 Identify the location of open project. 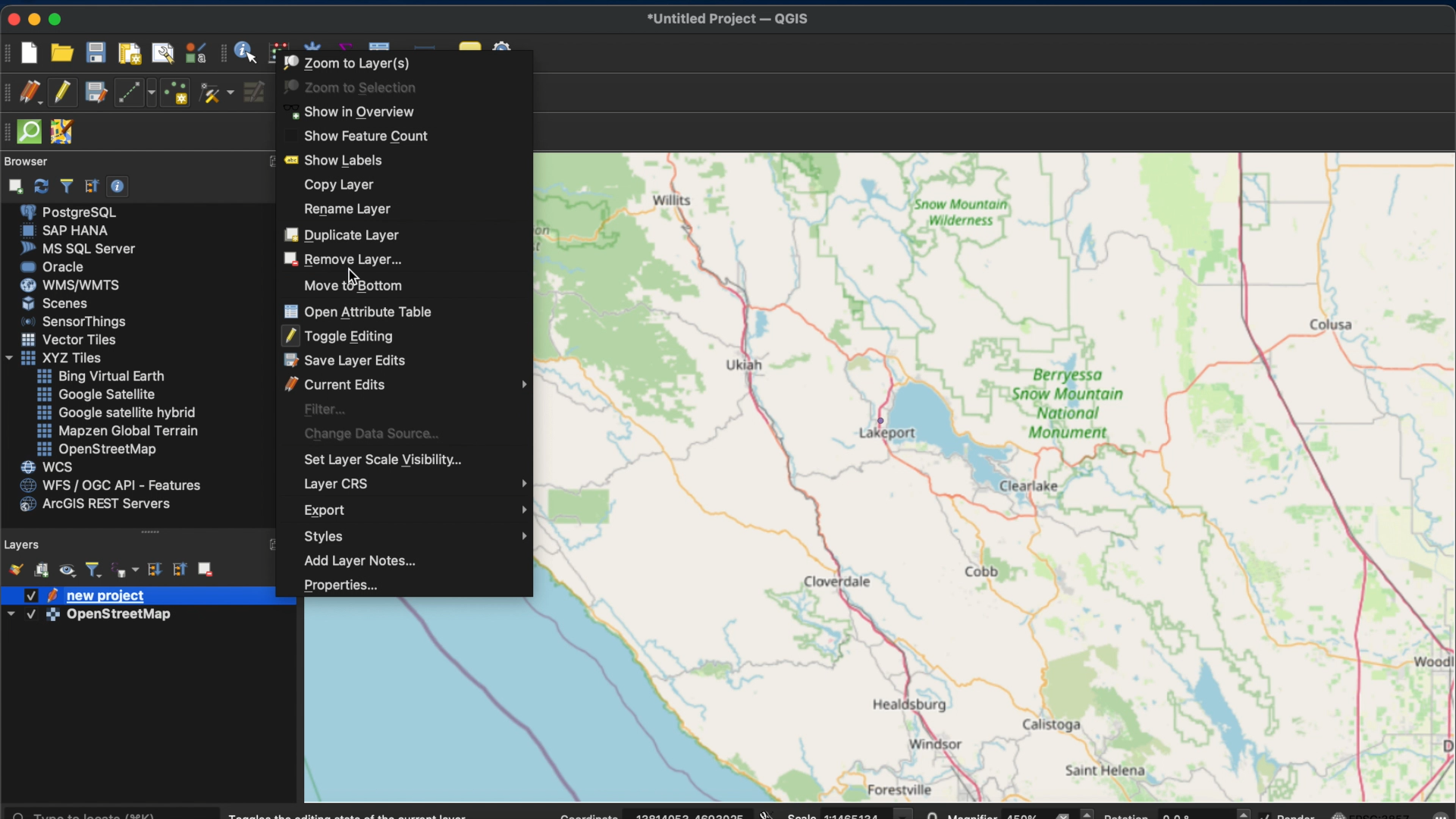
(61, 52).